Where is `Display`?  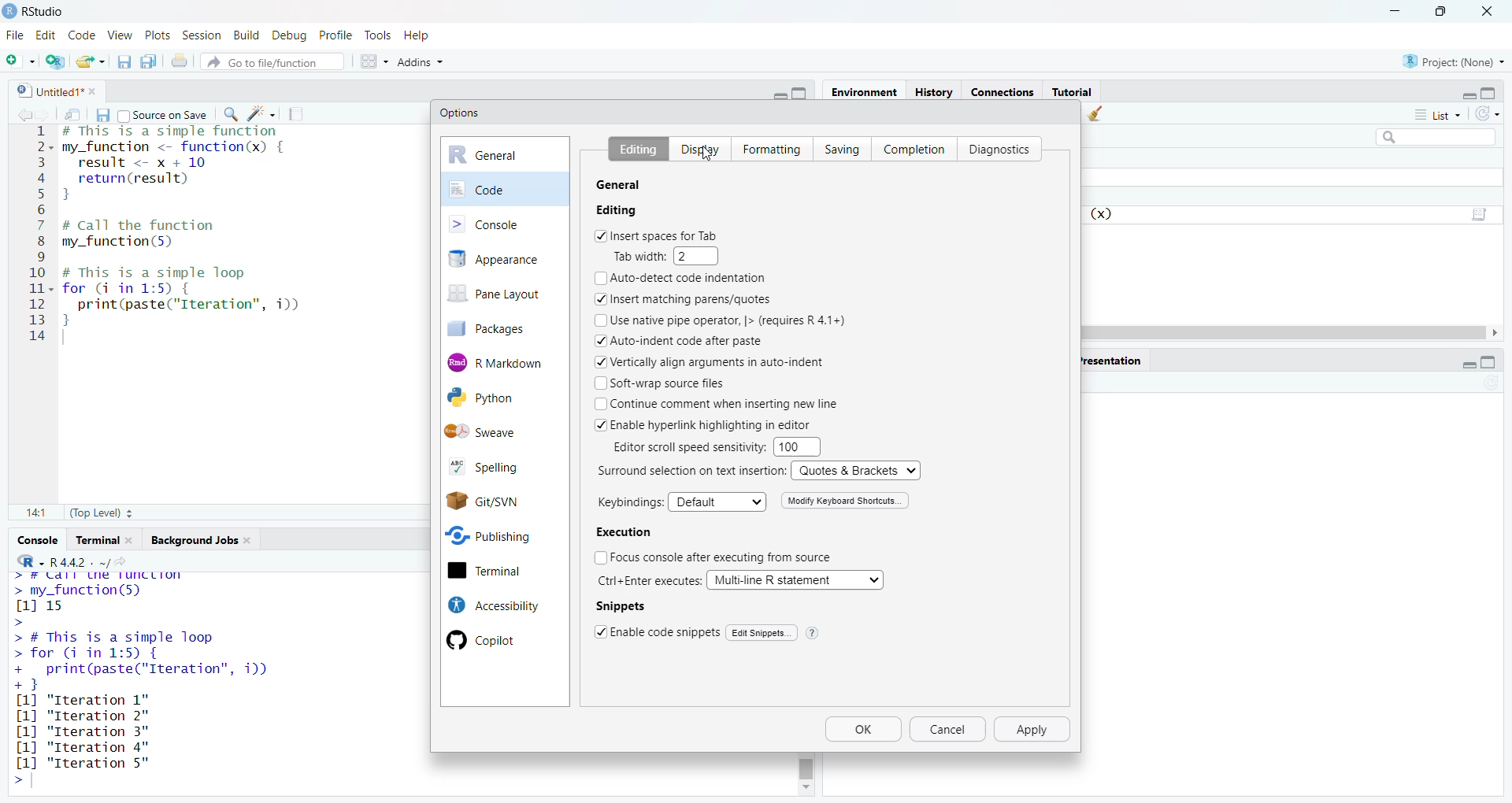
Display is located at coordinates (697, 150).